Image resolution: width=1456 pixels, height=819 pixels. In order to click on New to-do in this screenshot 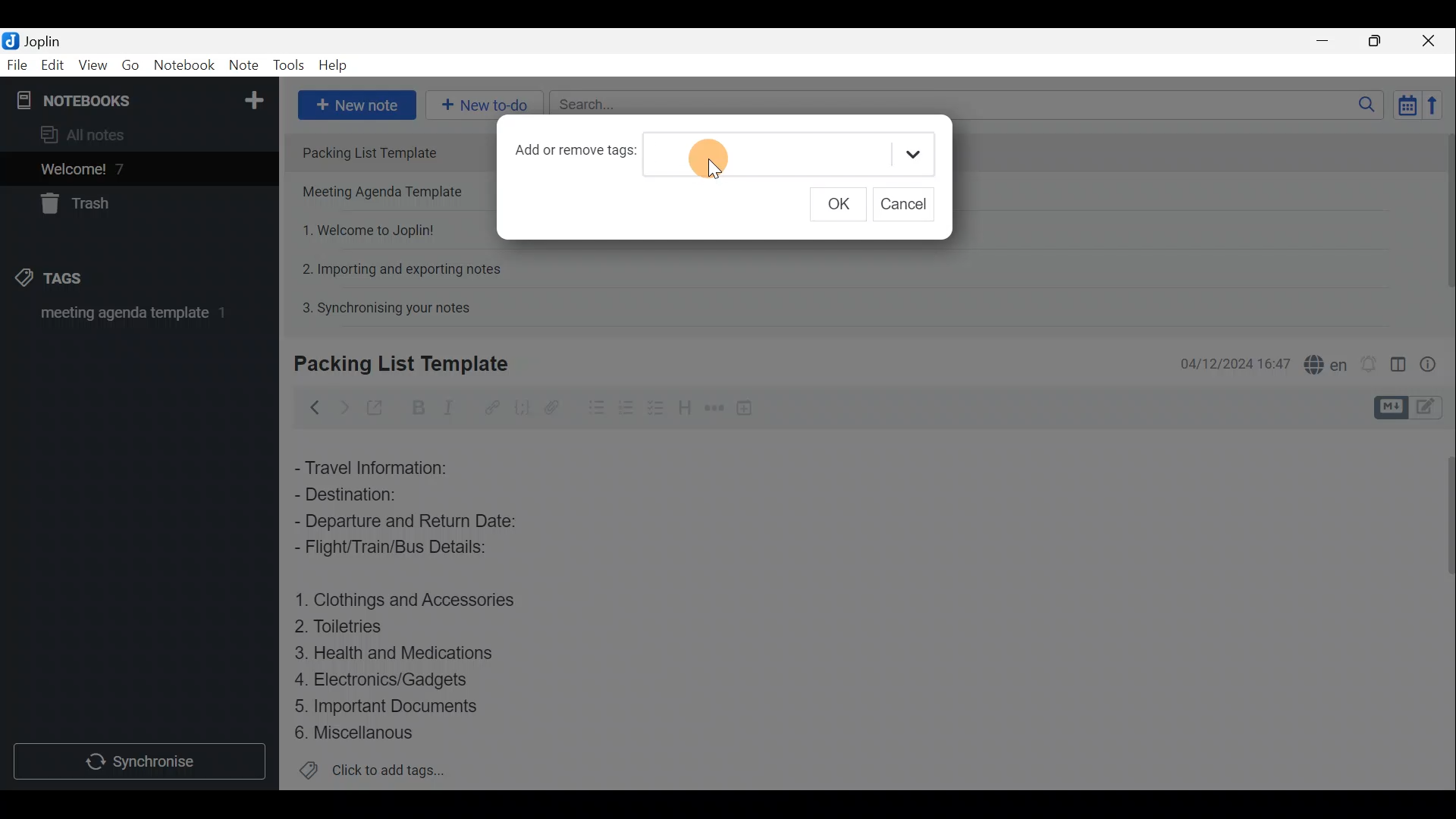, I will do `click(485, 105)`.